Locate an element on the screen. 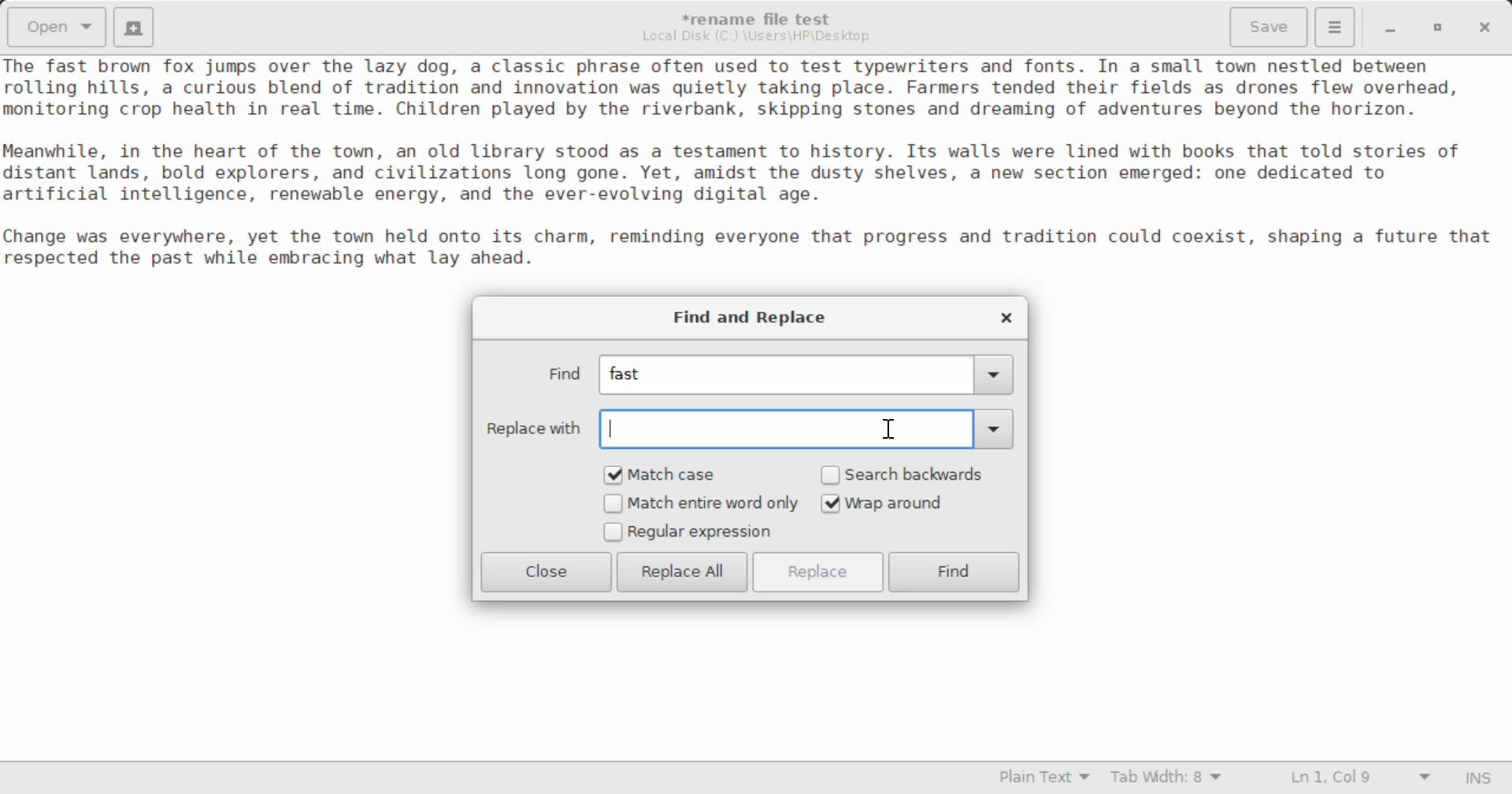 The height and width of the screenshot is (794, 1512). Selected Language is located at coordinates (1036, 779).